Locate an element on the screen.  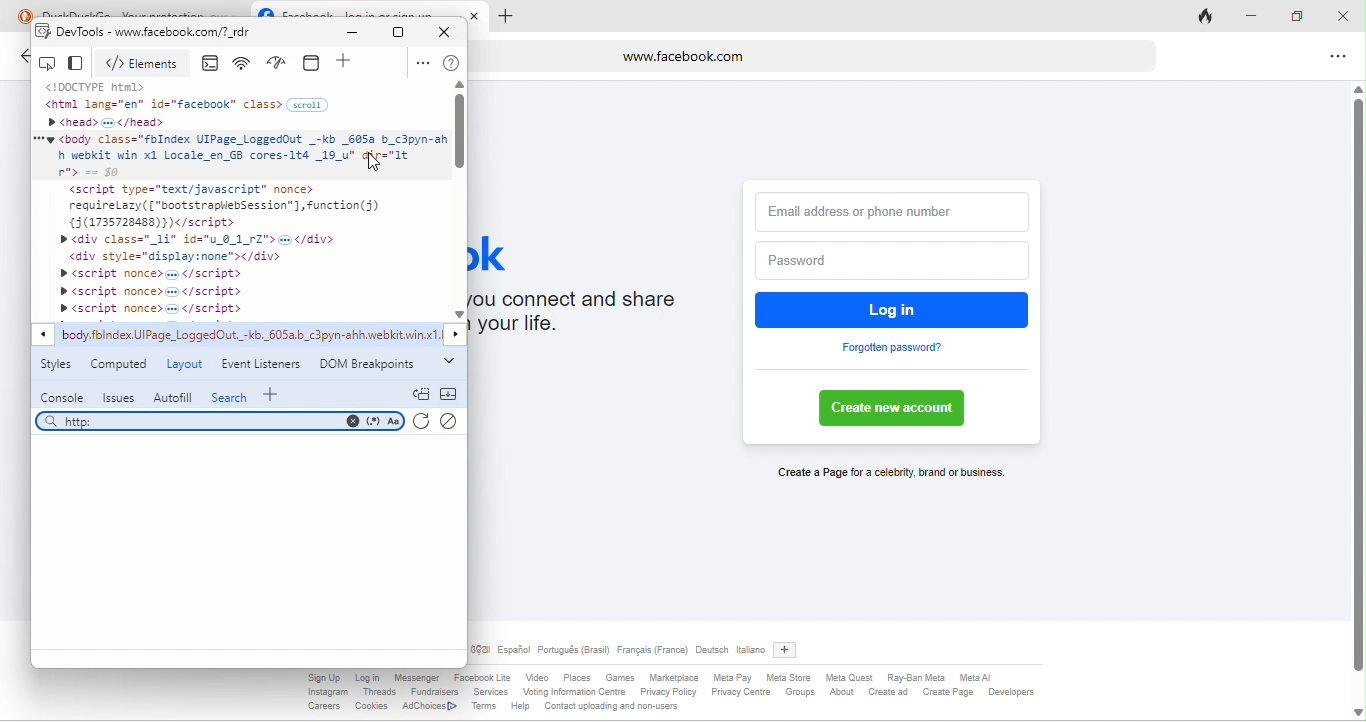
vertical scroll bar is located at coordinates (1357, 378).